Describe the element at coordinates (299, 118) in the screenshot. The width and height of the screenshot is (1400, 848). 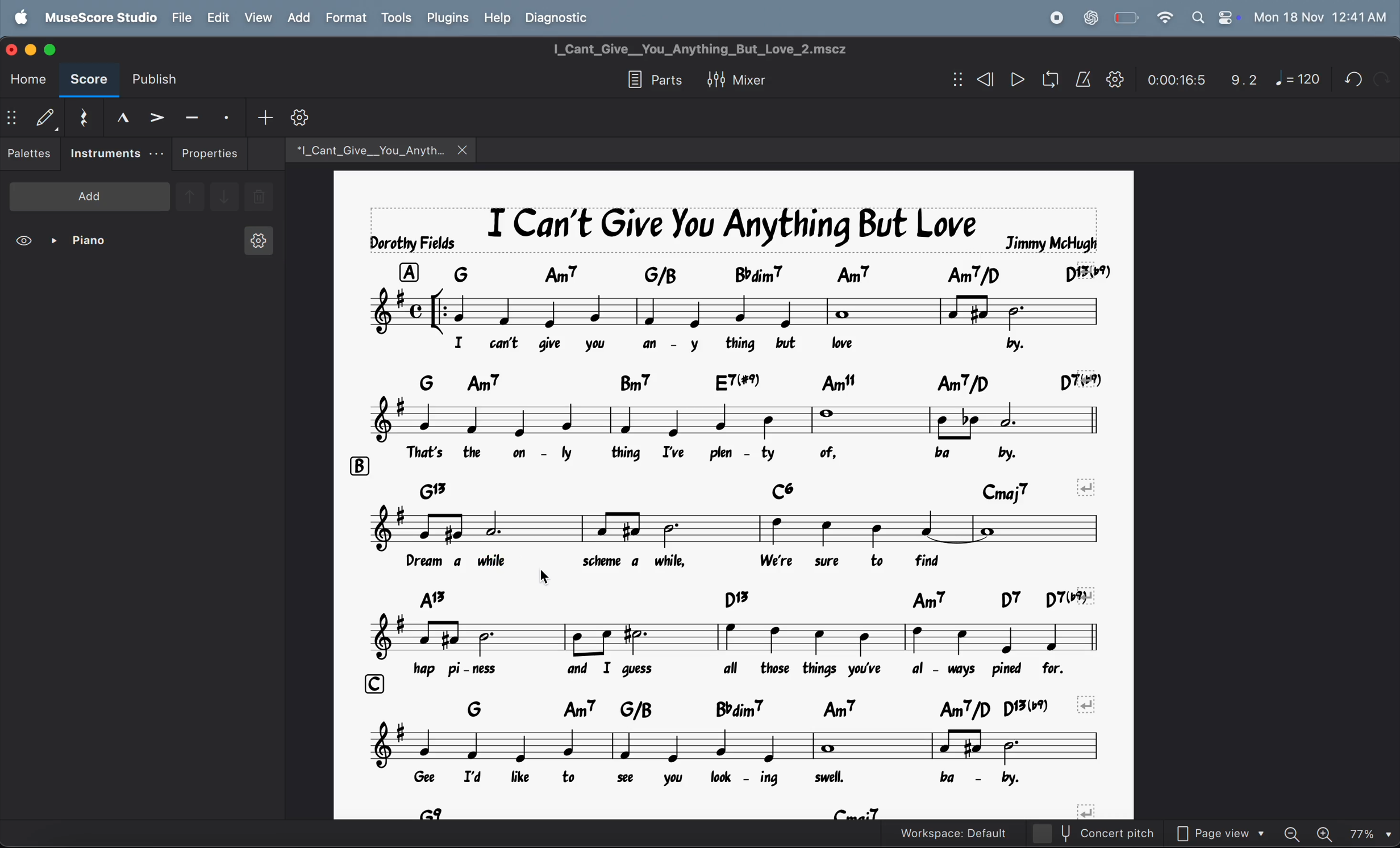
I see `customize toobar` at that location.